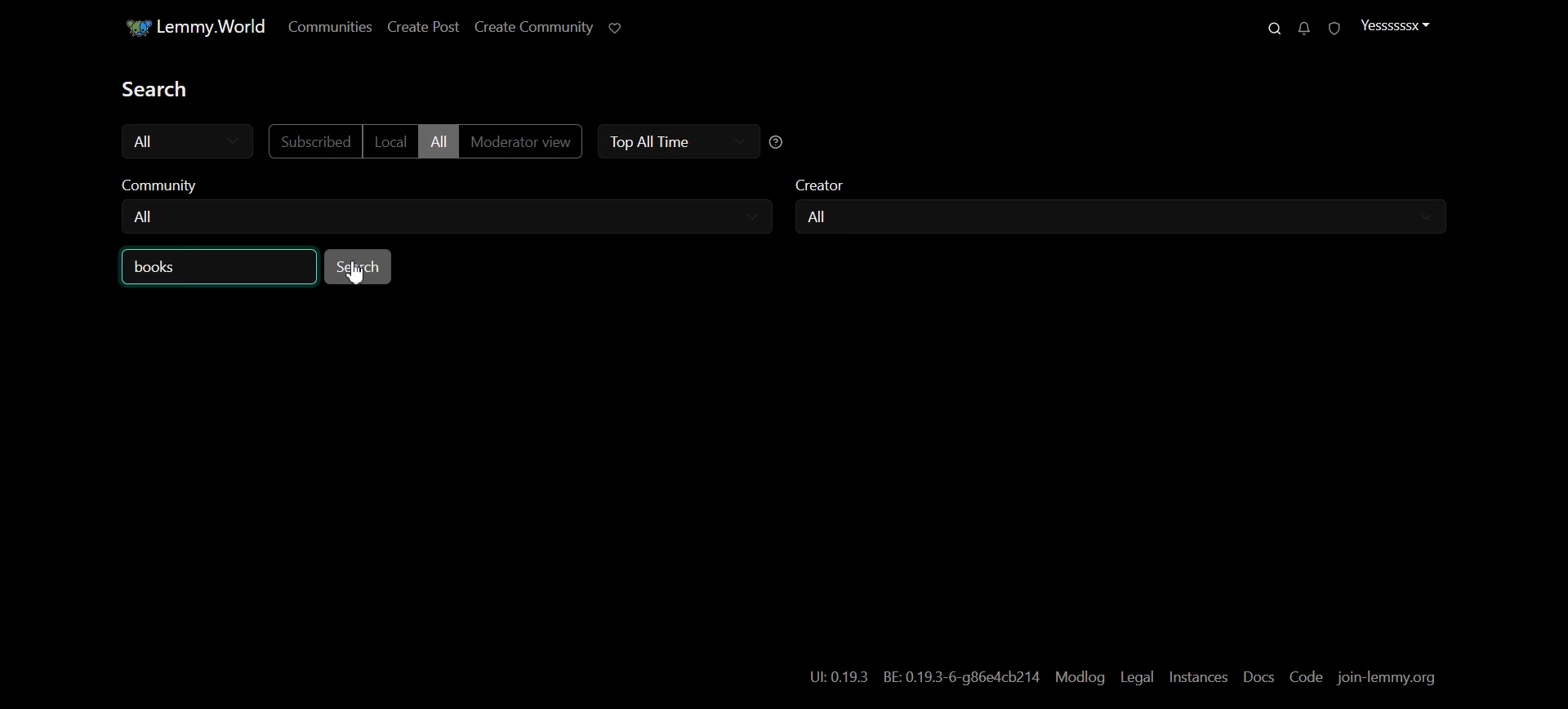  What do you see at coordinates (152, 88) in the screenshot?
I see `Text` at bounding box center [152, 88].